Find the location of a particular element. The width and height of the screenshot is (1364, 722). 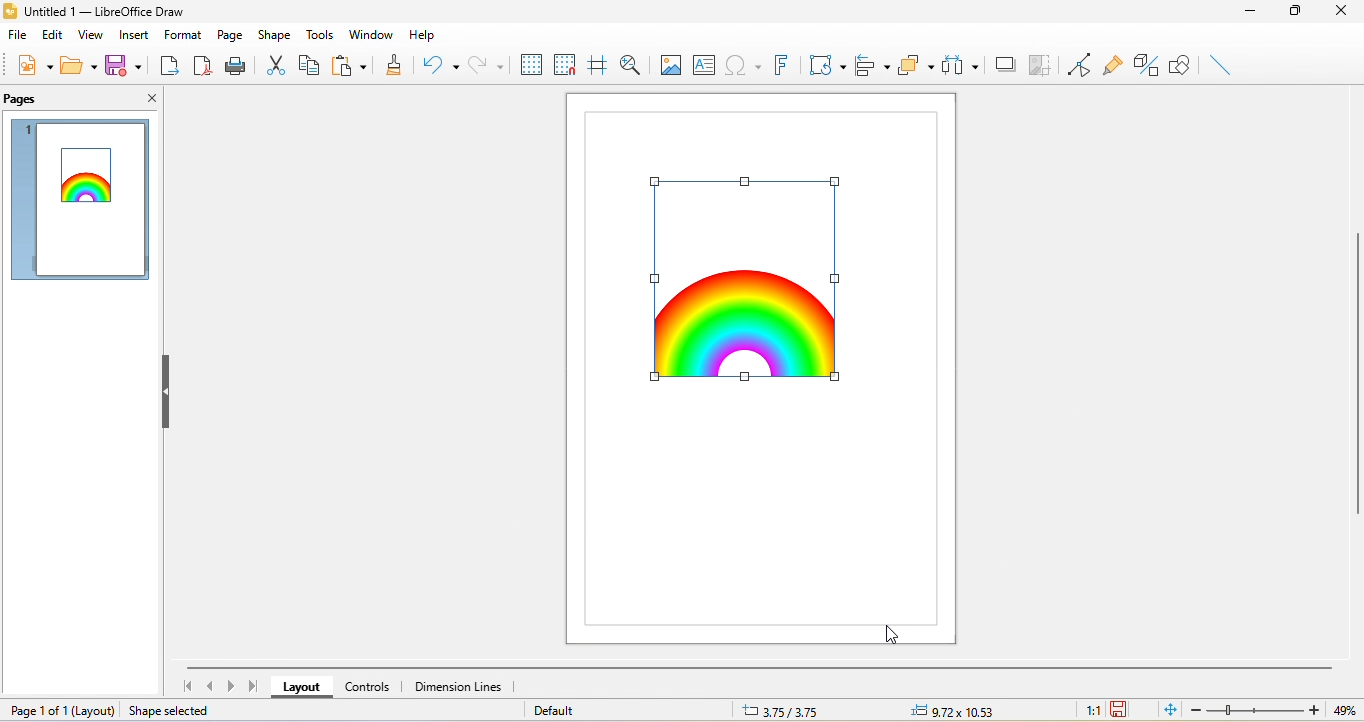

file is located at coordinates (17, 39).